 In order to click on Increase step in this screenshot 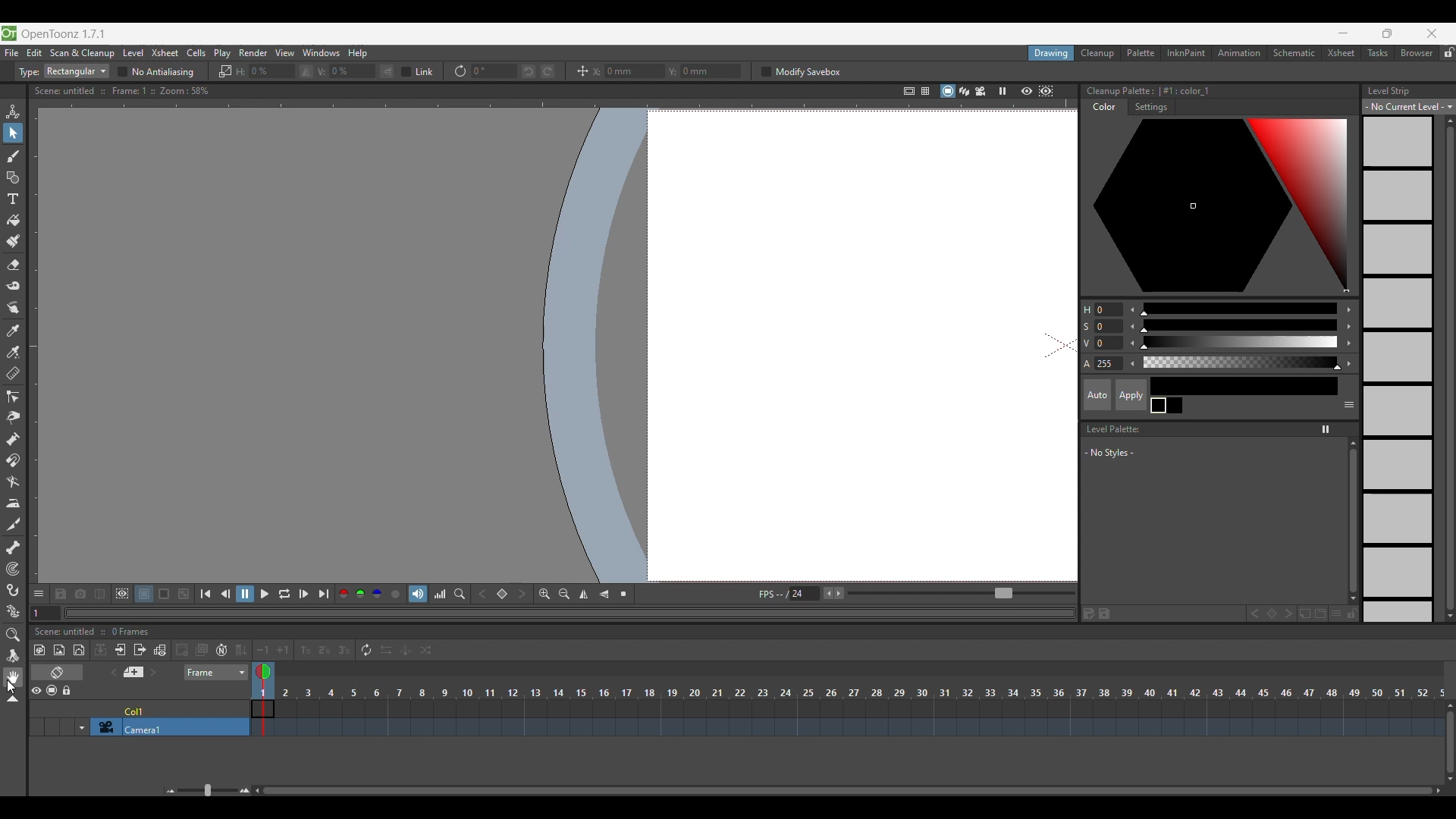, I will do `click(283, 650)`.